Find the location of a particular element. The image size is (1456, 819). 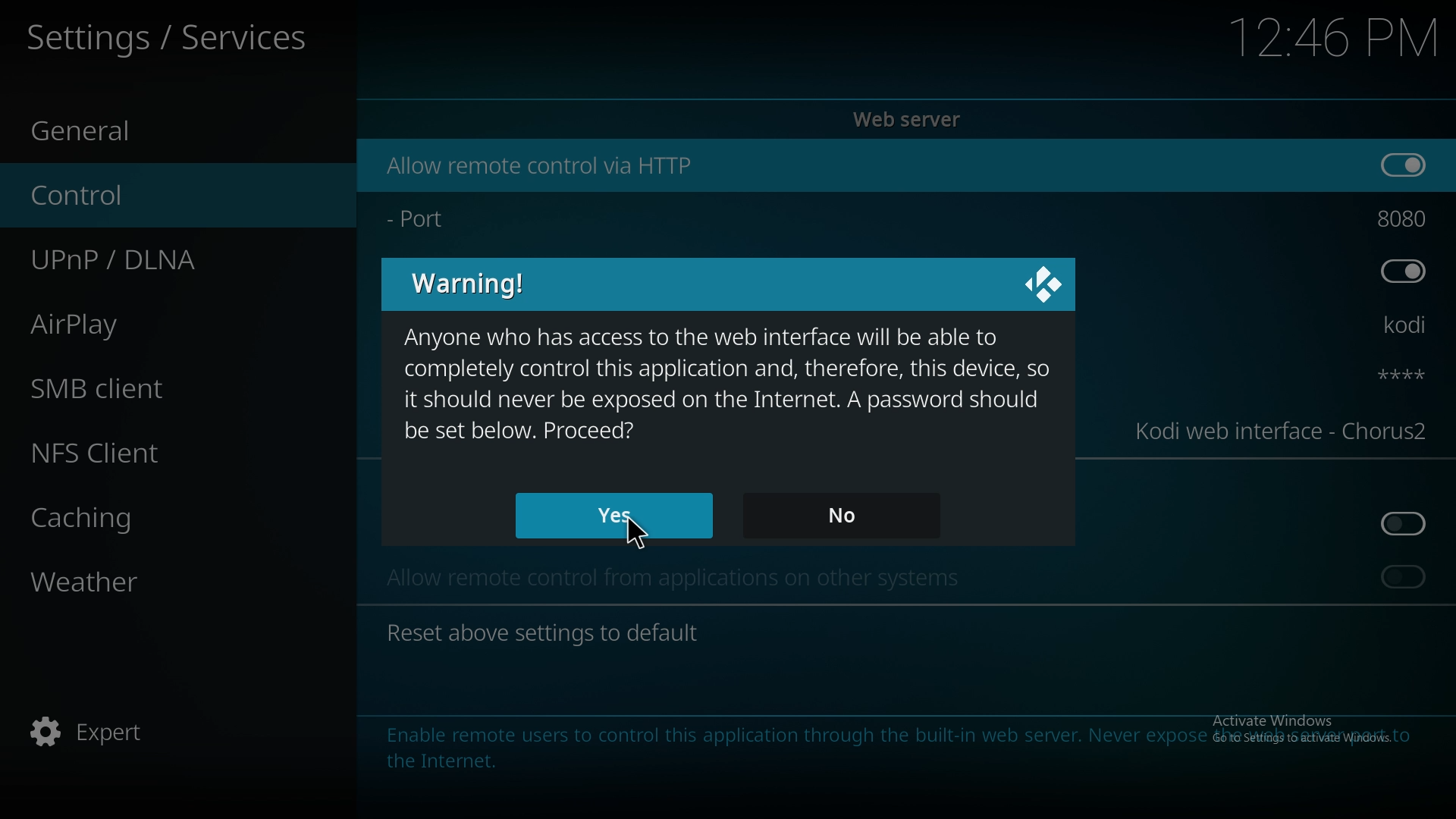

web server is located at coordinates (912, 119).